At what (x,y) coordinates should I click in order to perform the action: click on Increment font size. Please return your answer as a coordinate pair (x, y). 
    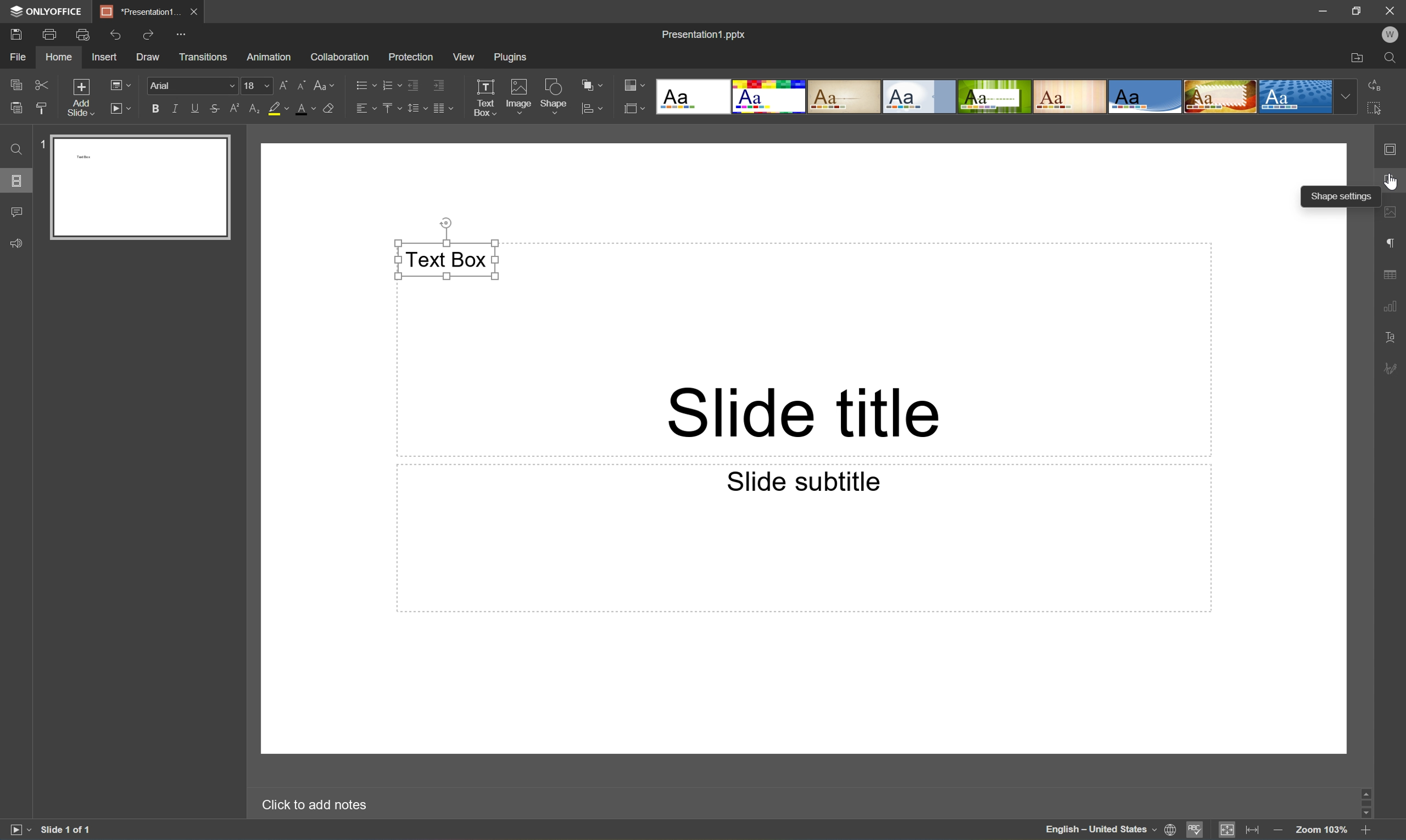
    Looking at the image, I should click on (282, 86).